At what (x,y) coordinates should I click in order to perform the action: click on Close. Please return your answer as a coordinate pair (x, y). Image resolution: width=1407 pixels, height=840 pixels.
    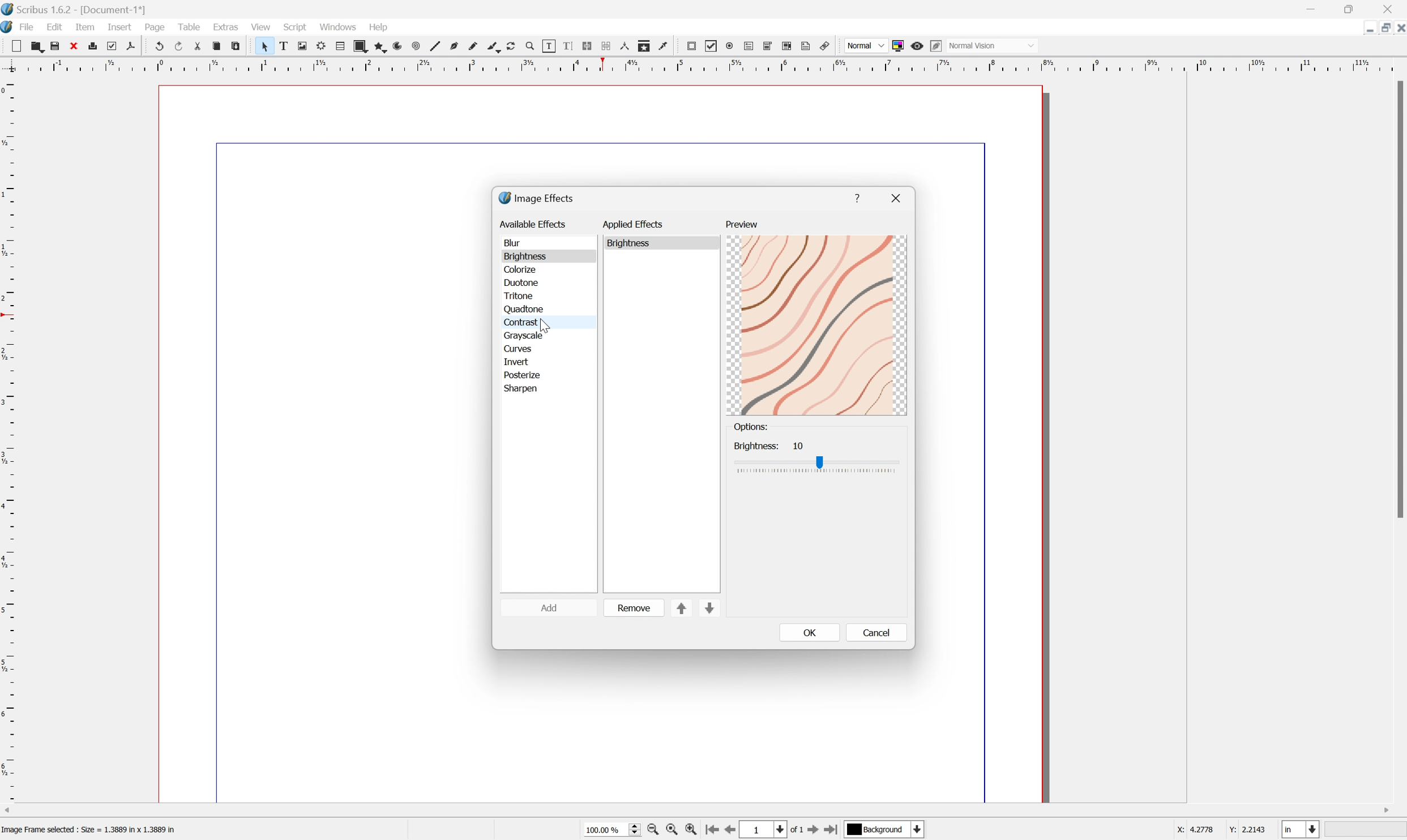
    Looking at the image, I should click on (1390, 9).